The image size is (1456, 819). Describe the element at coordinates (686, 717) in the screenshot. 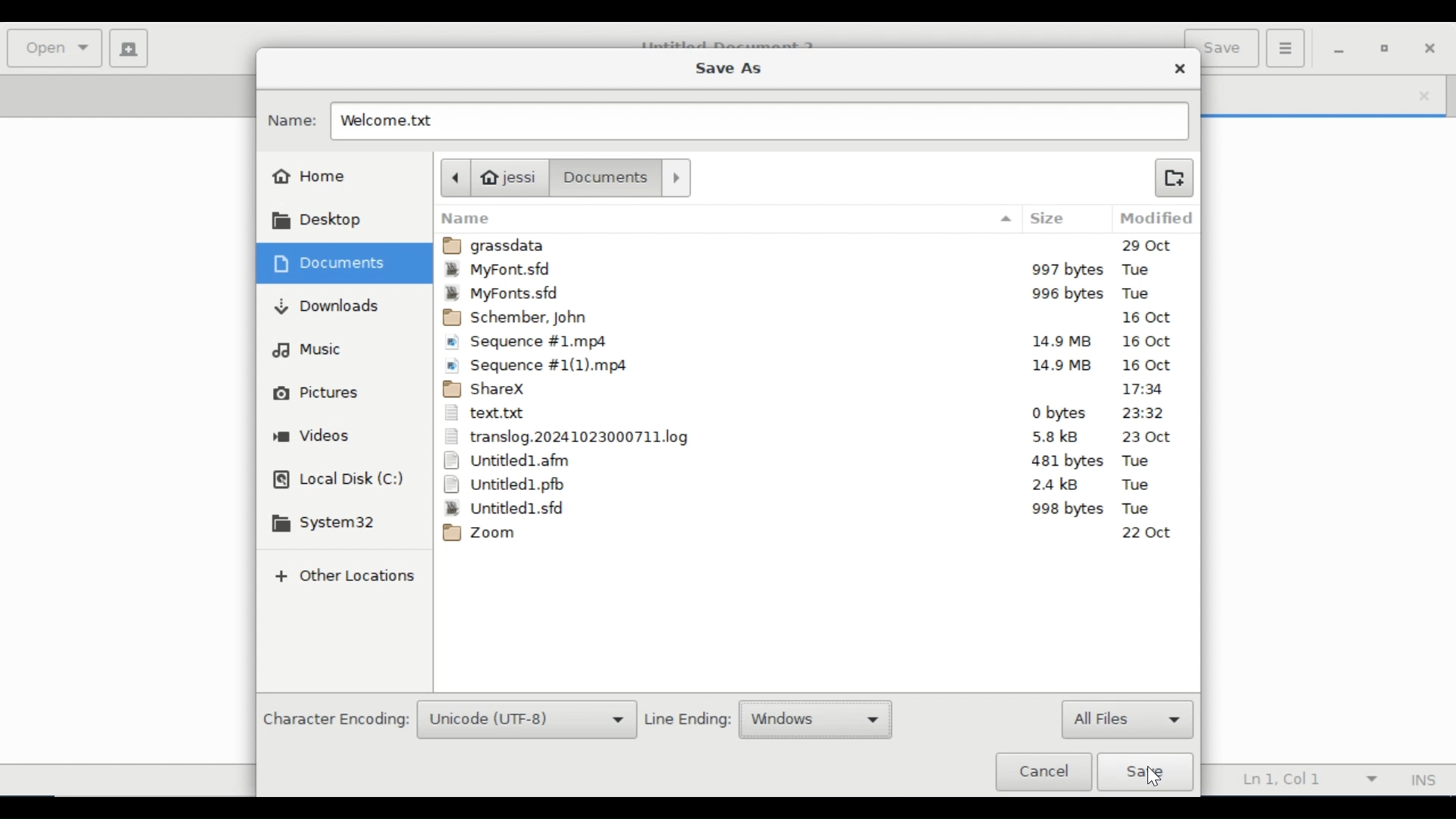

I see `Line Ending` at that location.